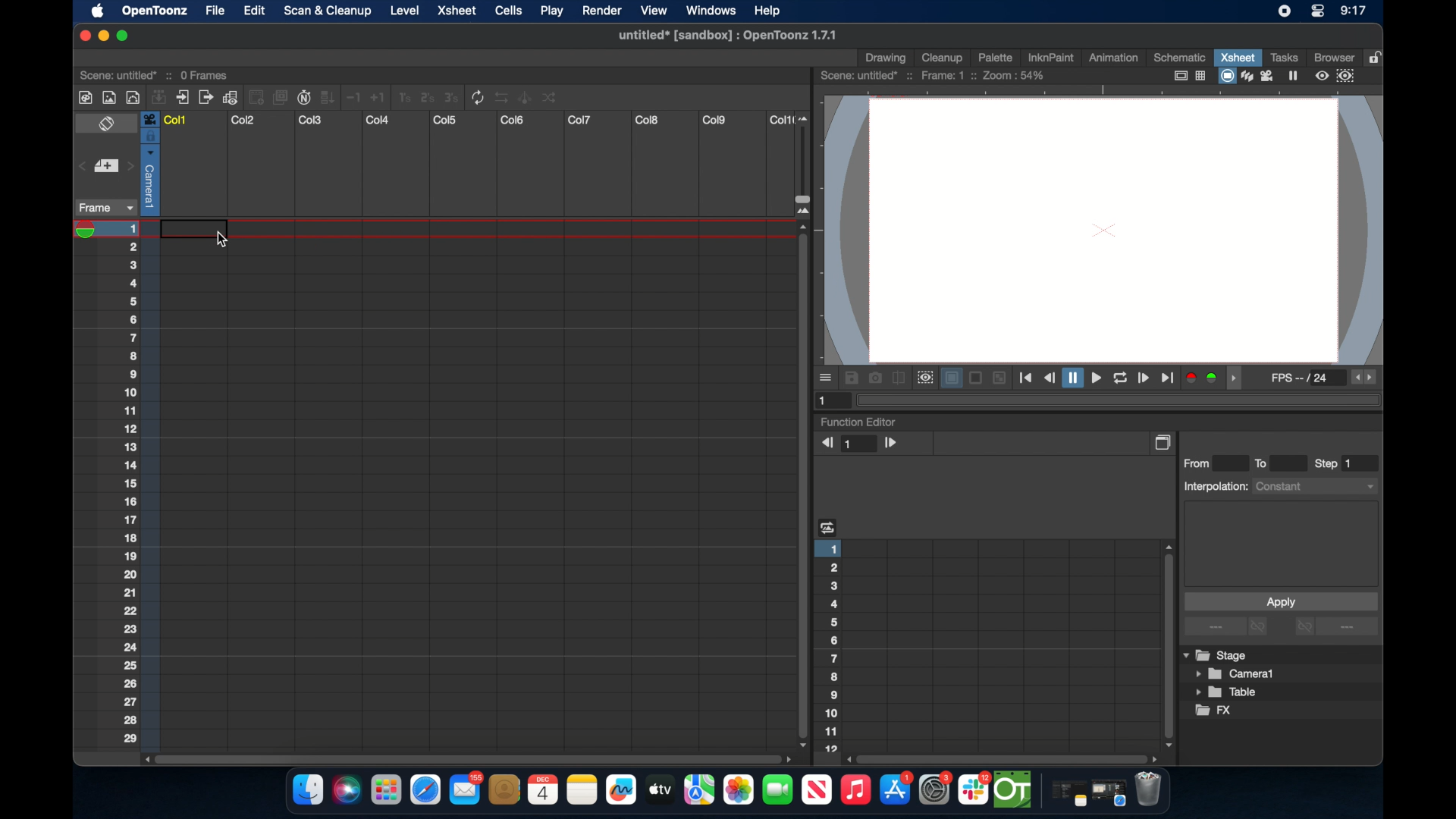  I want to click on animation, so click(1114, 58).